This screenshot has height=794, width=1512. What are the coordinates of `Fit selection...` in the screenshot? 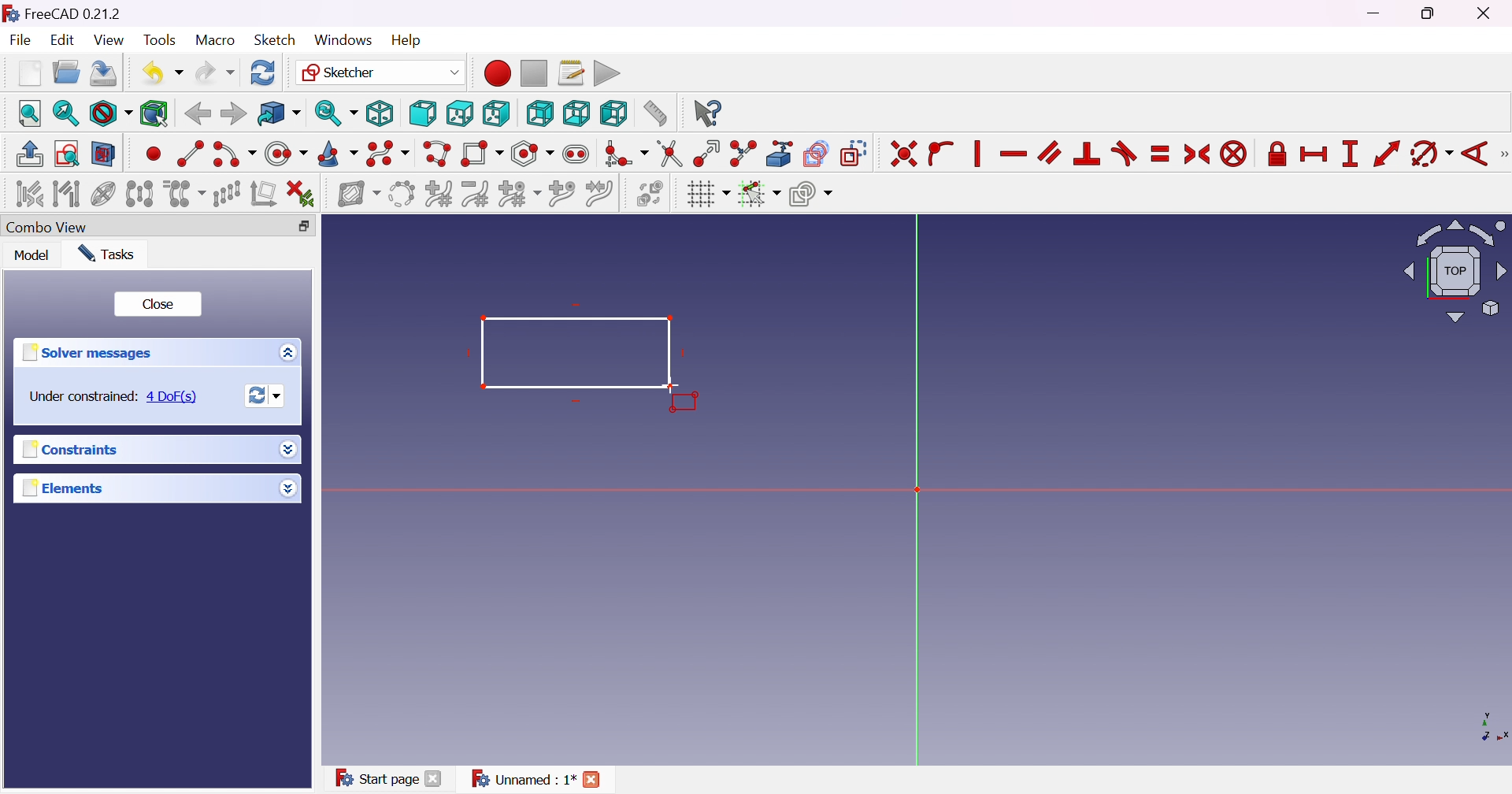 It's located at (66, 113).